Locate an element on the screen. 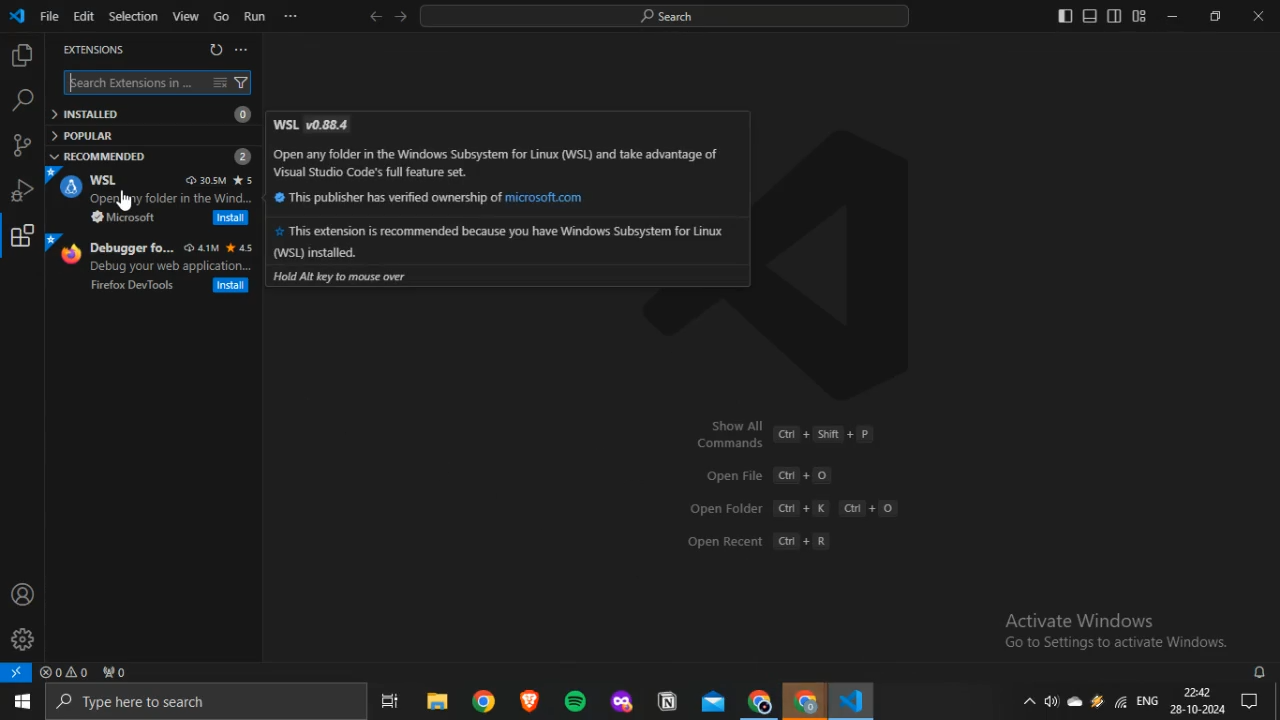 Image resolution: width=1280 pixels, height=720 pixels. WSL is located at coordinates (70, 187).